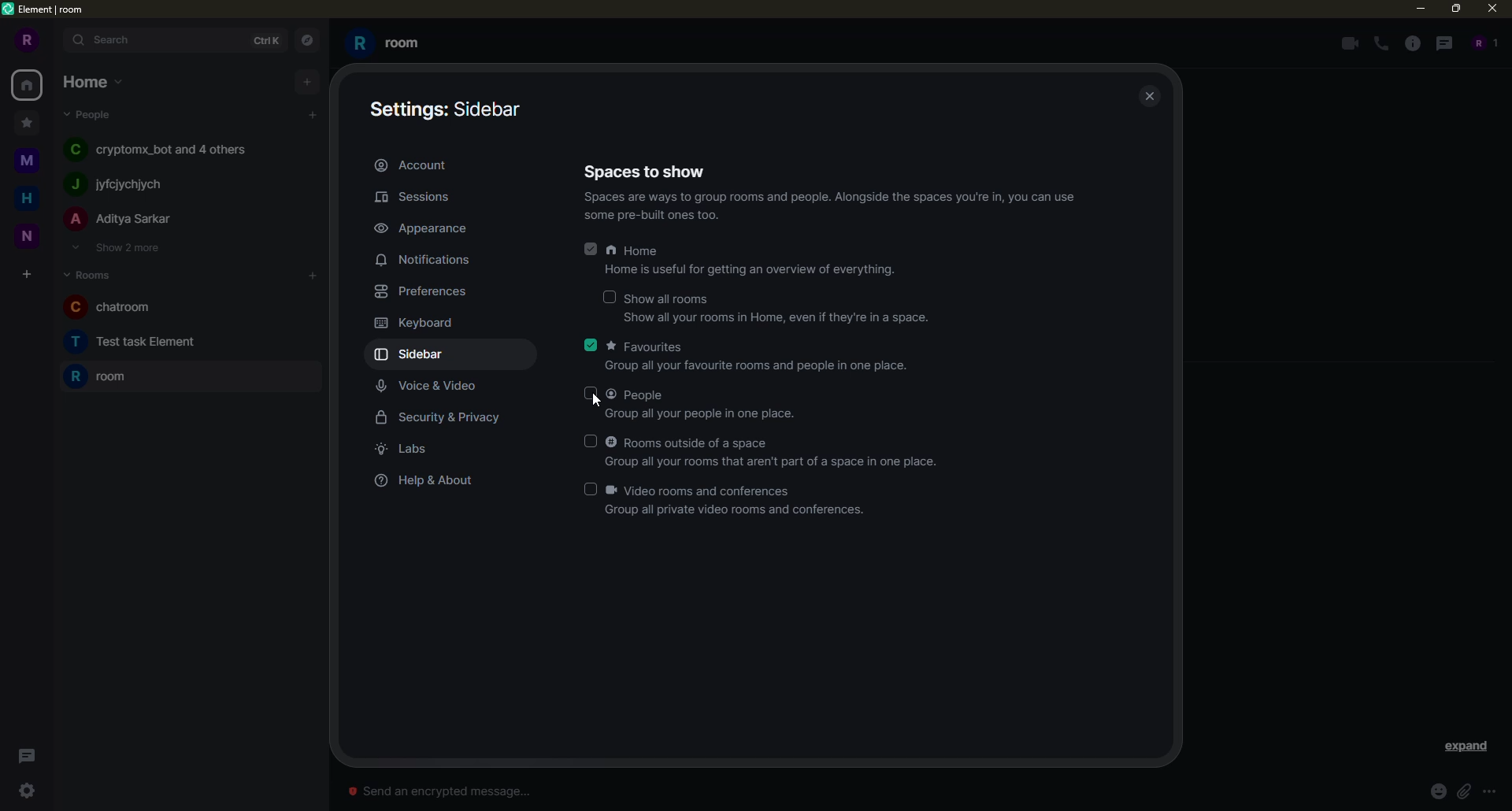 Image resolution: width=1512 pixels, height=811 pixels. Describe the element at coordinates (1414, 43) in the screenshot. I see `info` at that location.